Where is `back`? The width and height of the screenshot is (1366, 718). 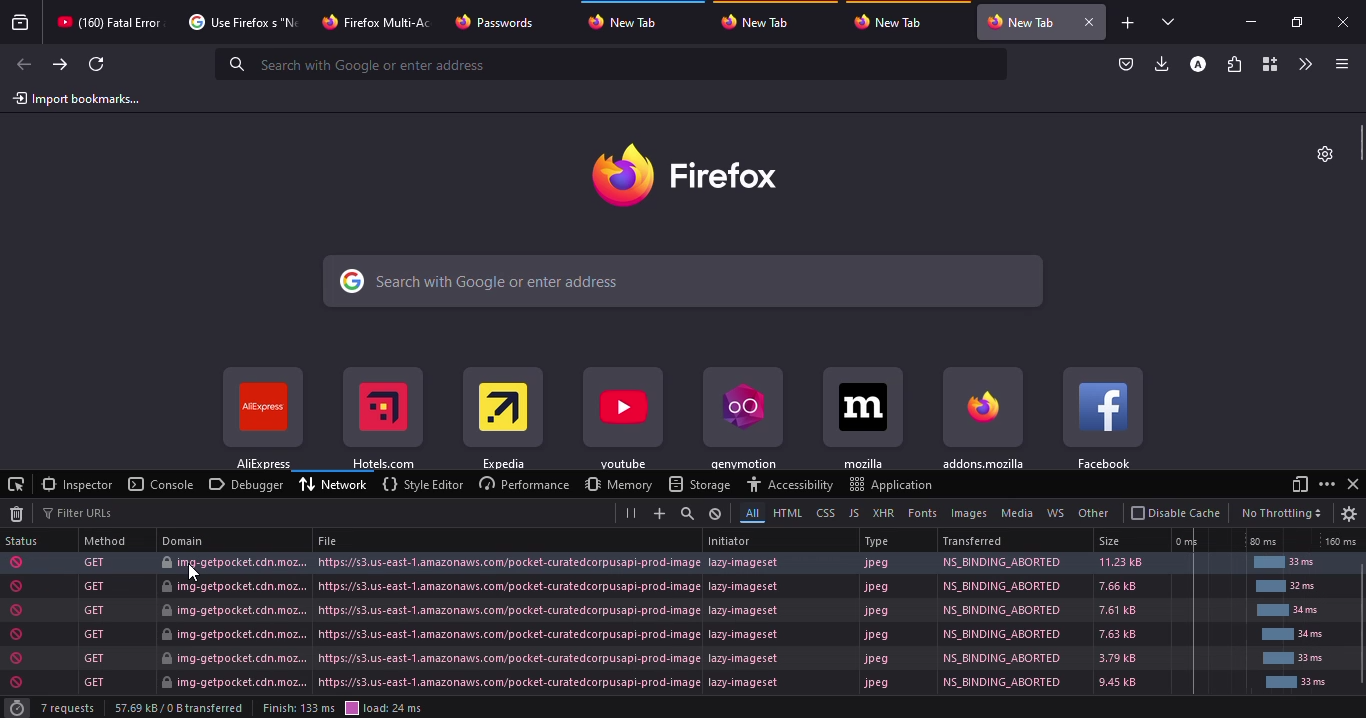 back is located at coordinates (24, 64).